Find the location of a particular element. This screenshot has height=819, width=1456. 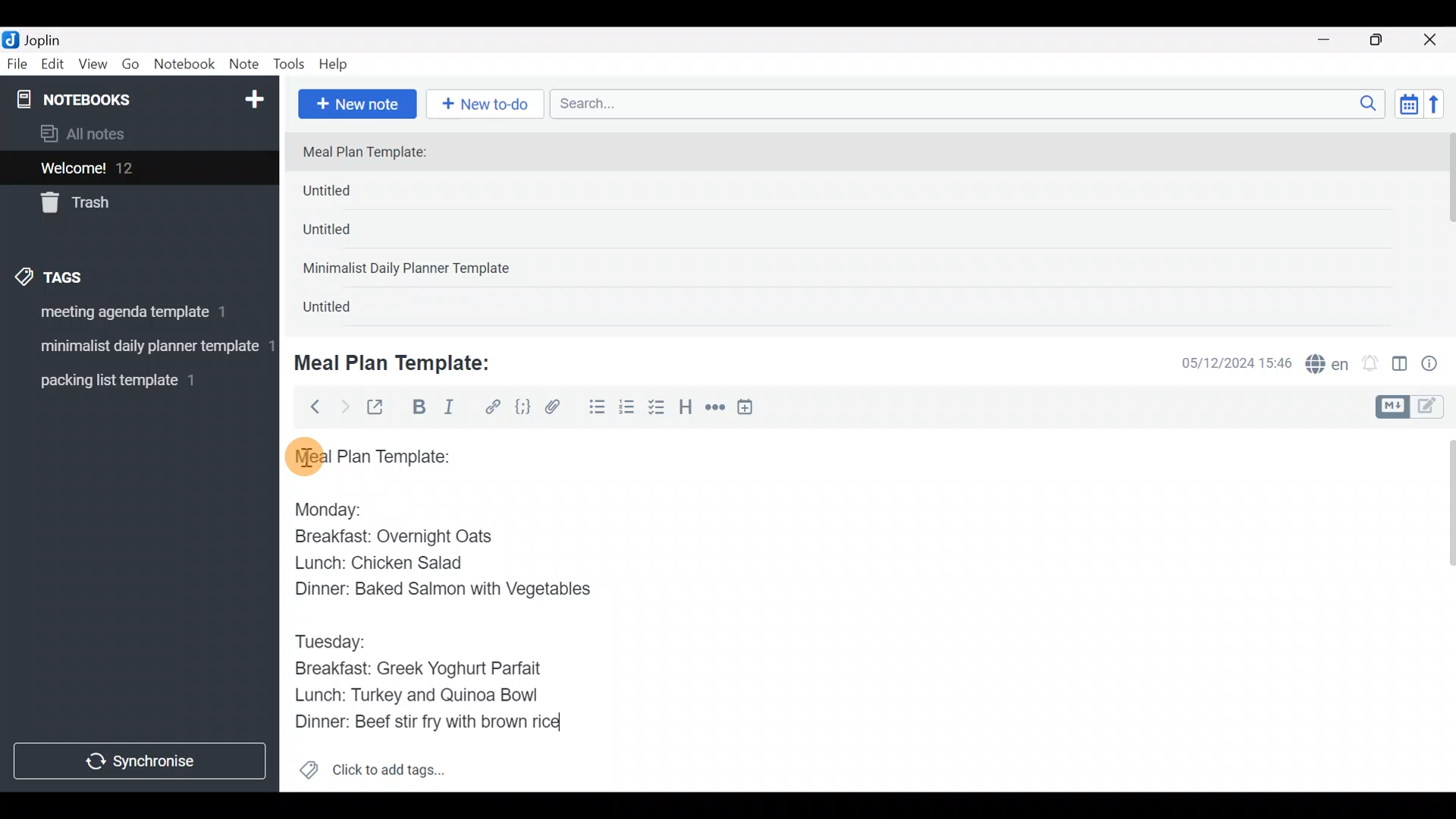

Back is located at coordinates (309, 406).